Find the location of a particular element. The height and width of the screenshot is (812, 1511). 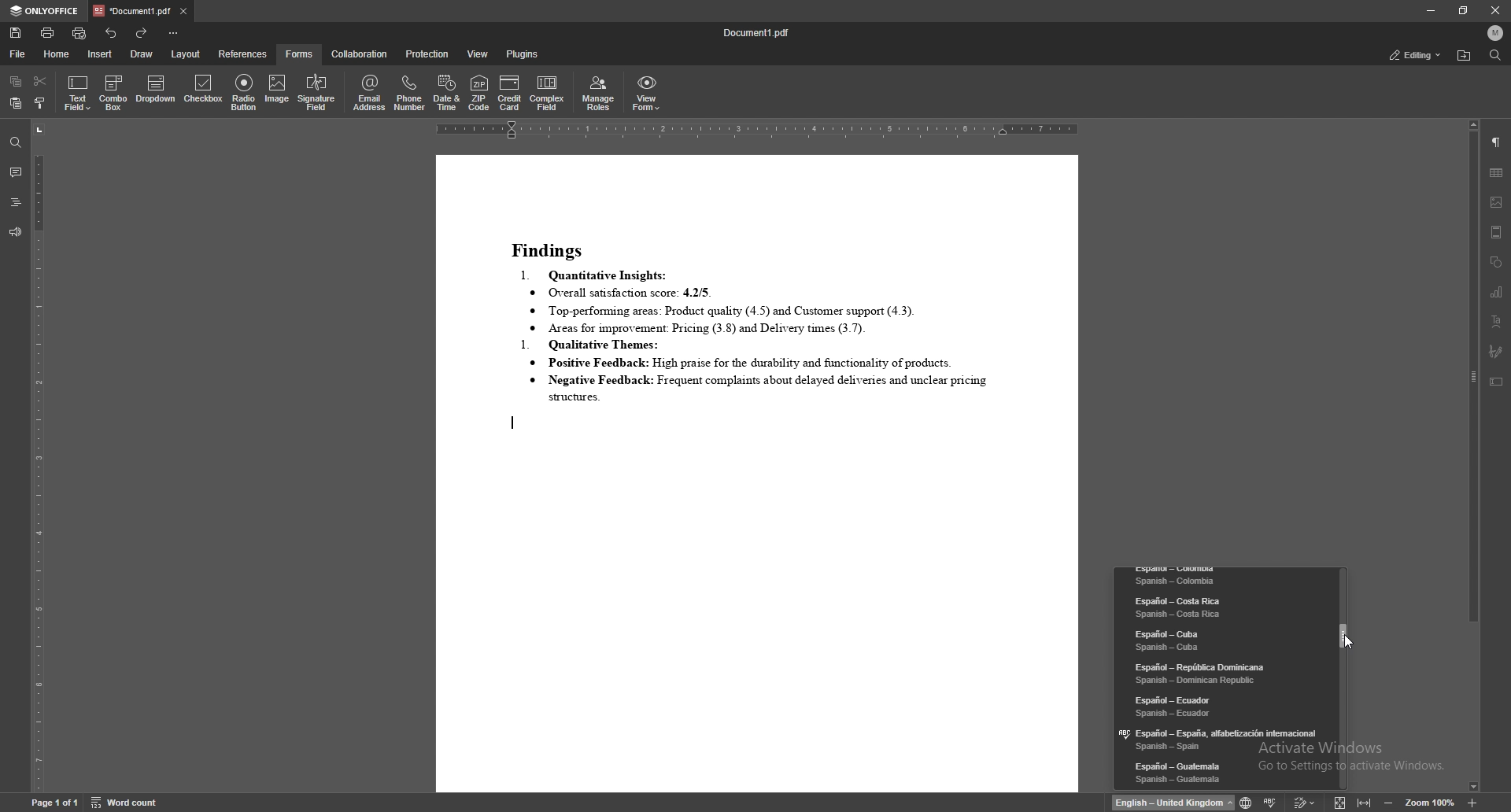

protection is located at coordinates (427, 54).